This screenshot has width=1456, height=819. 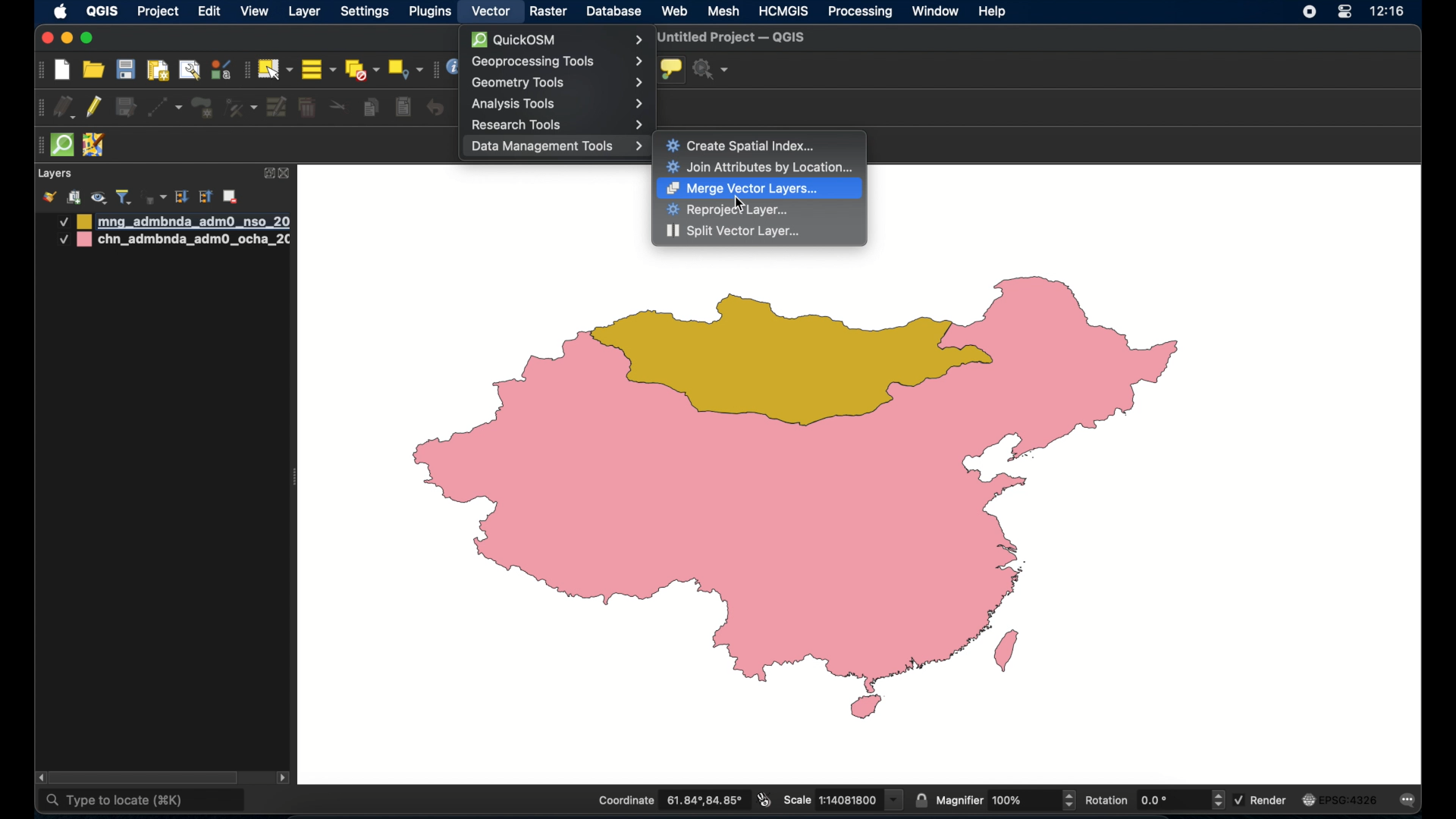 What do you see at coordinates (206, 199) in the screenshot?
I see `collapse all ` at bounding box center [206, 199].